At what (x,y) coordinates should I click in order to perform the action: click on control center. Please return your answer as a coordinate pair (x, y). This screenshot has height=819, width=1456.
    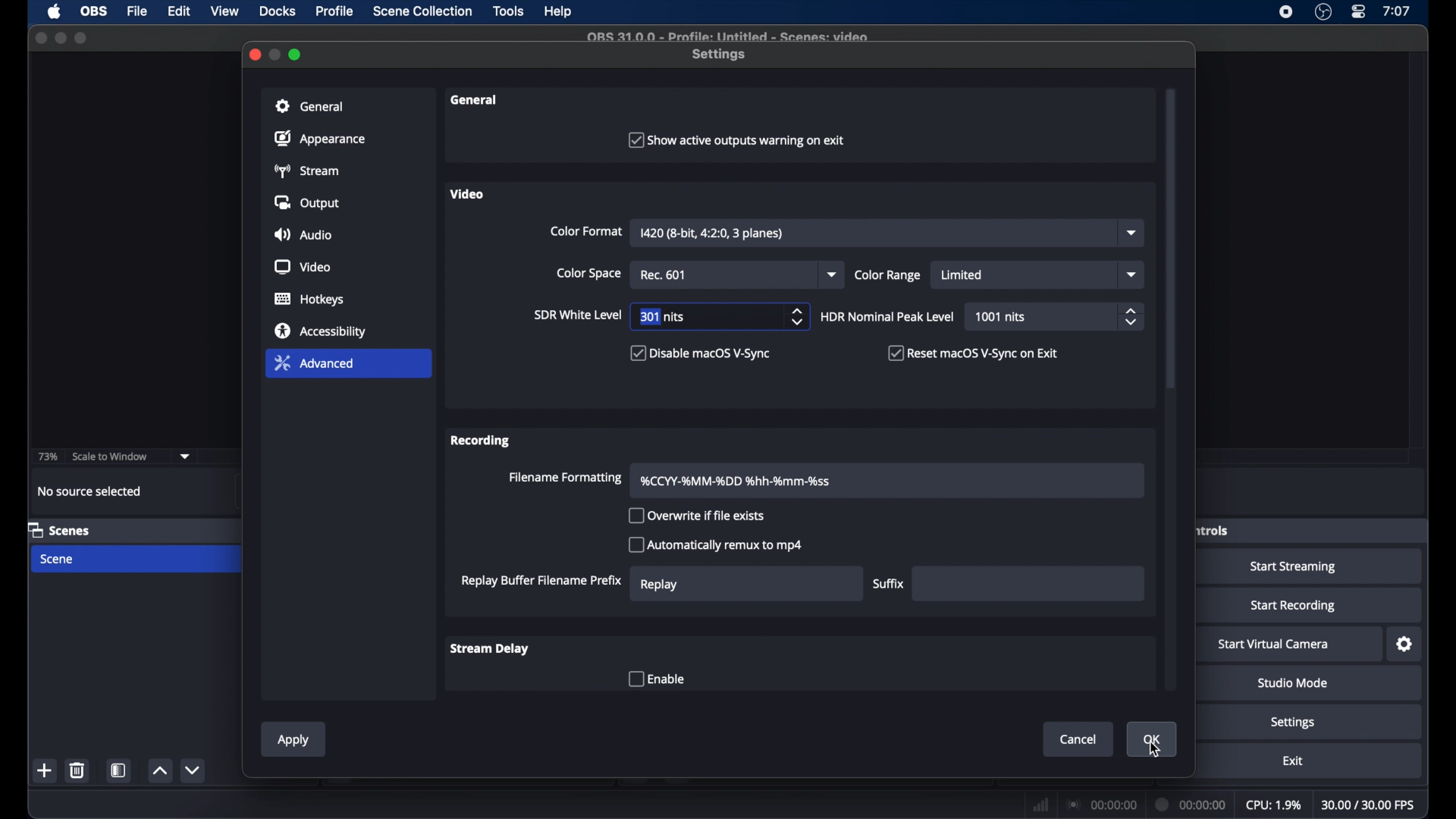
    Looking at the image, I should click on (1357, 11).